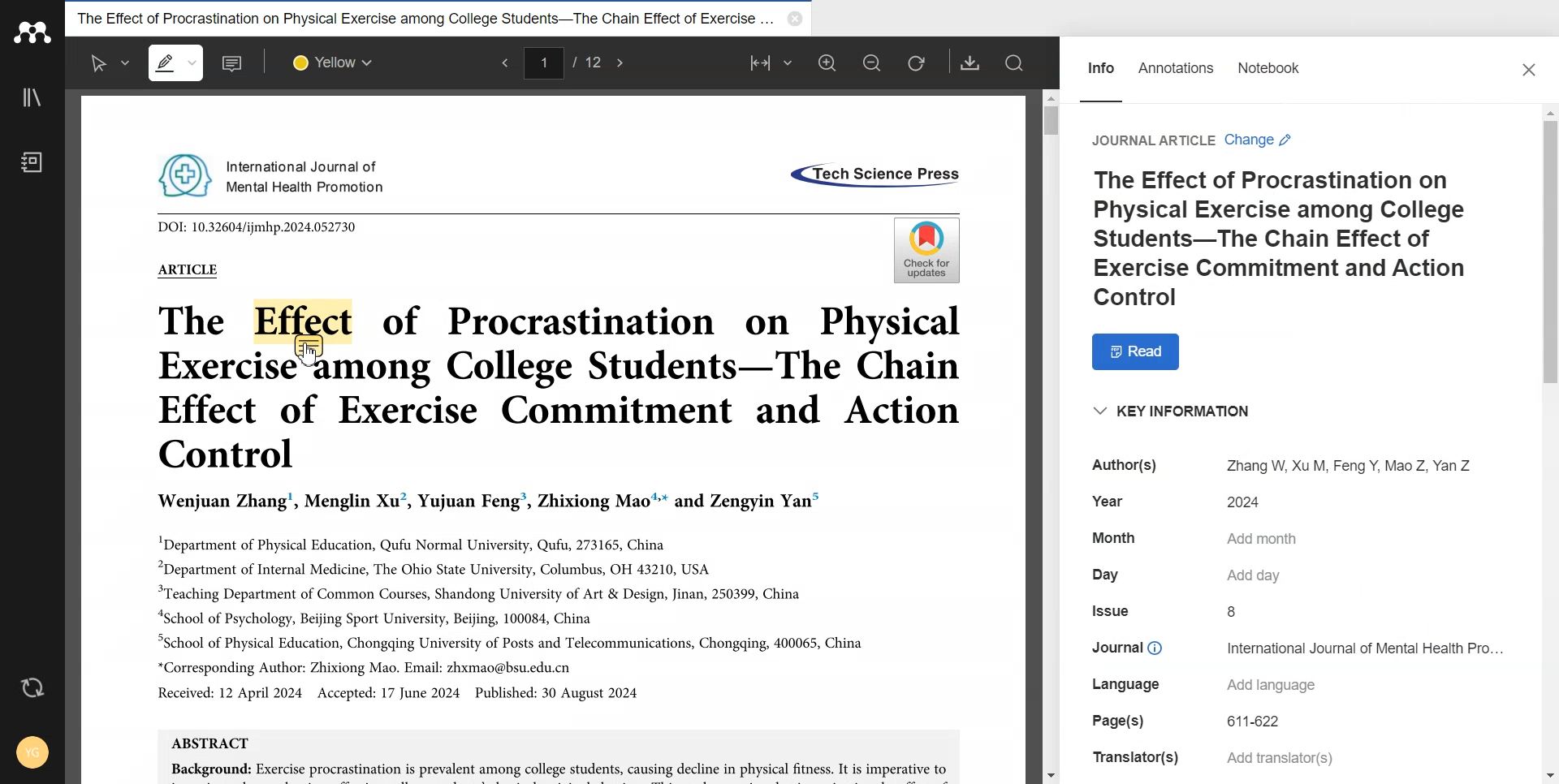 Image resolution: width=1559 pixels, height=784 pixels. What do you see at coordinates (1168, 611) in the screenshot?
I see `Issue 8` at bounding box center [1168, 611].